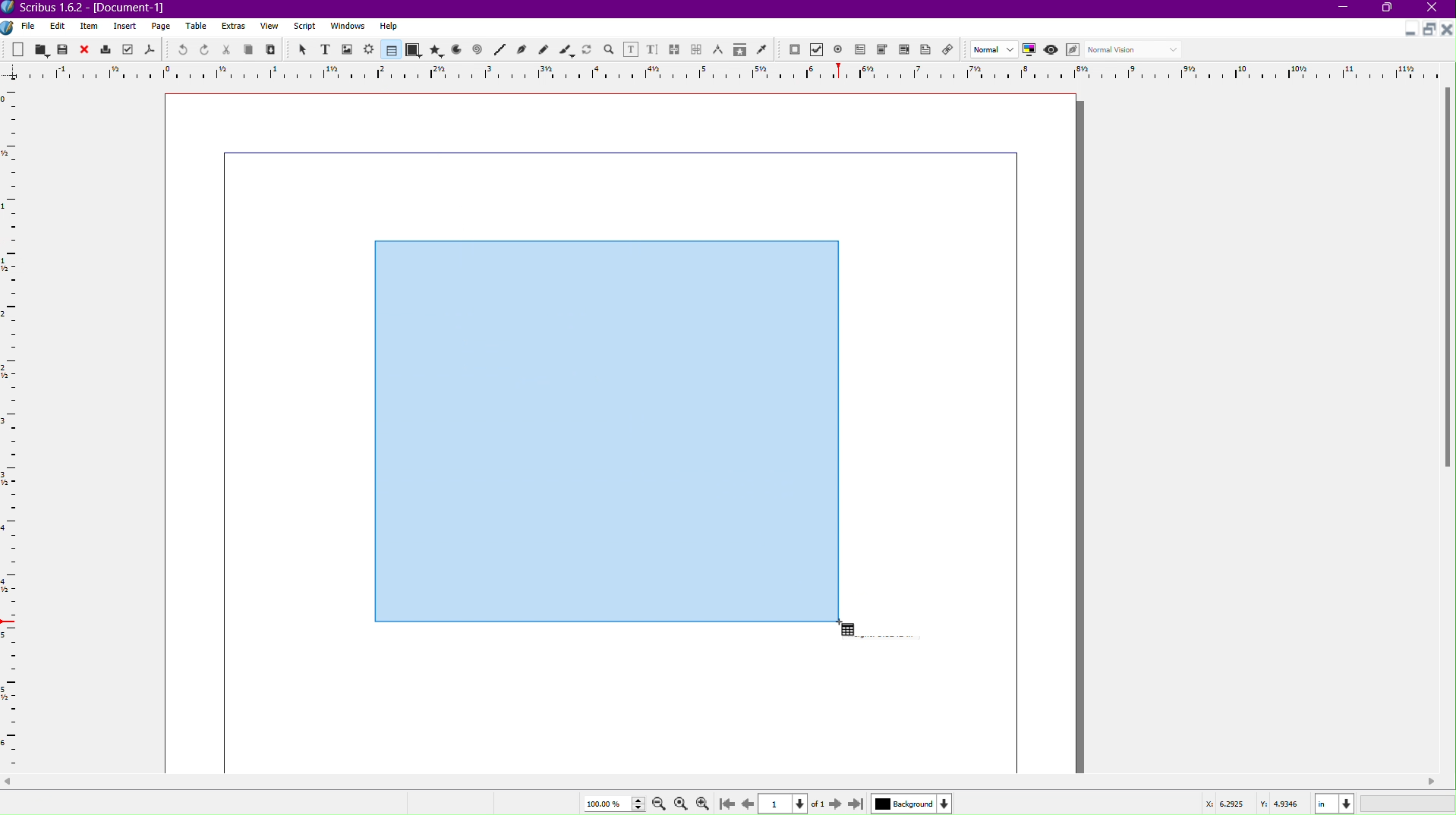  What do you see at coordinates (544, 49) in the screenshot?
I see `Freehand Line` at bounding box center [544, 49].